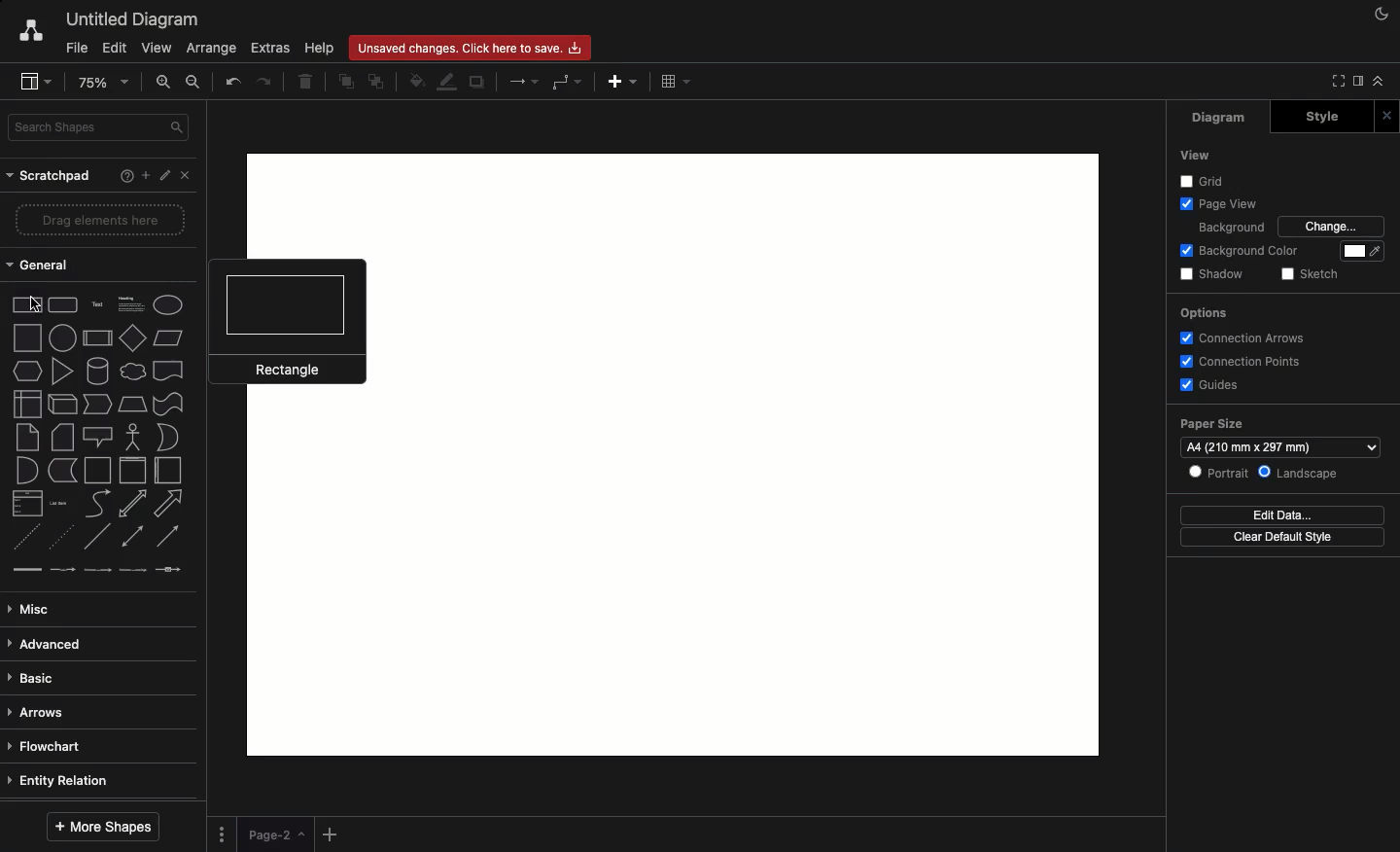 This screenshot has width=1400, height=852. What do you see at coordinates (95, 372) in the screenshot?
I see `cylinder` at bounding box center [95, 372].